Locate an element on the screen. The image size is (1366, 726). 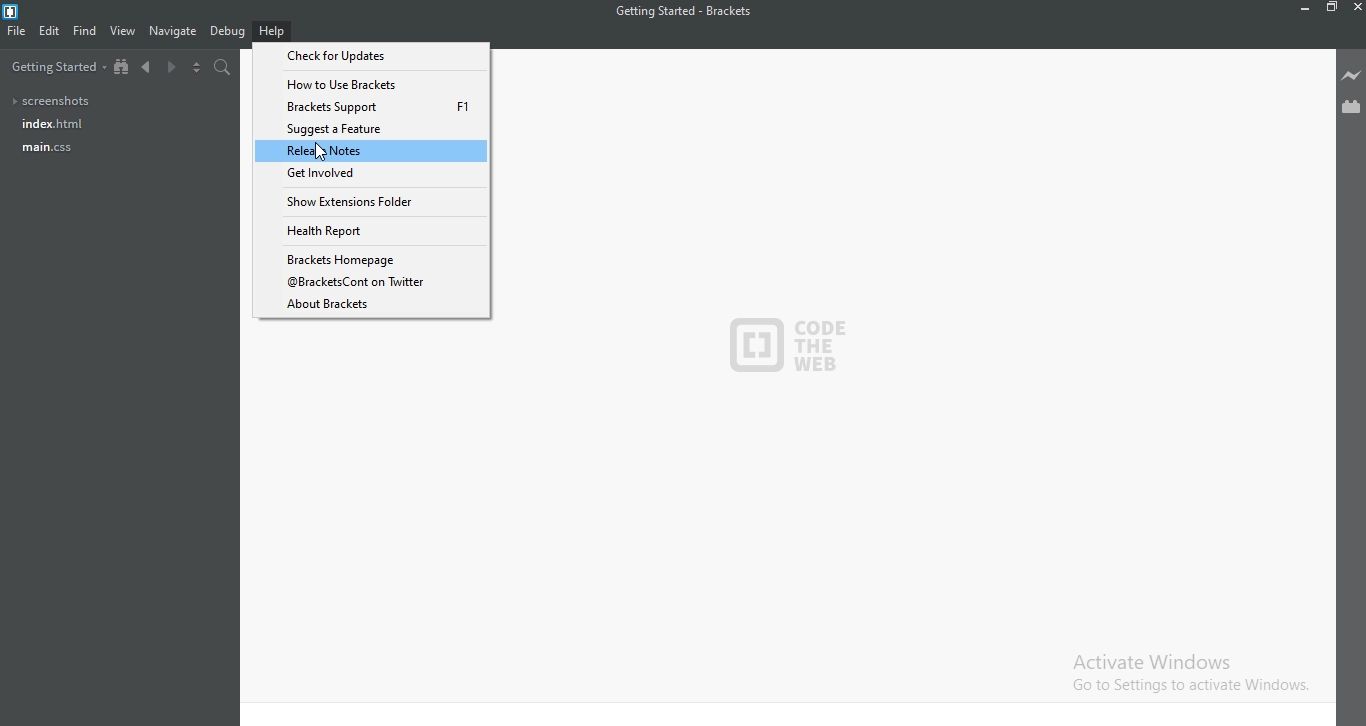
View is located at coordinates (124, 30).